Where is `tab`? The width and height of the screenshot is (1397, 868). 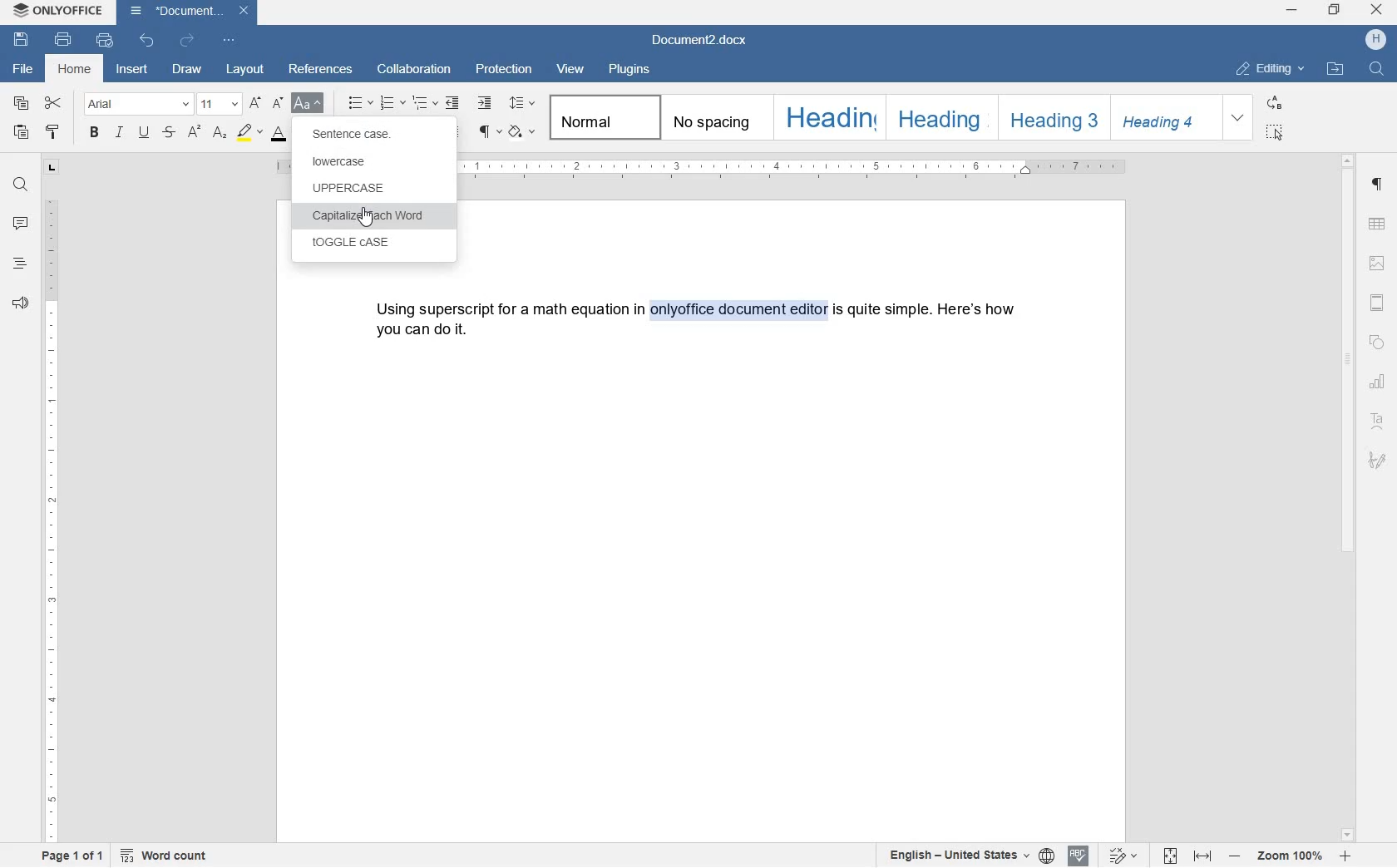 tab is located at coordinates (52, 169).